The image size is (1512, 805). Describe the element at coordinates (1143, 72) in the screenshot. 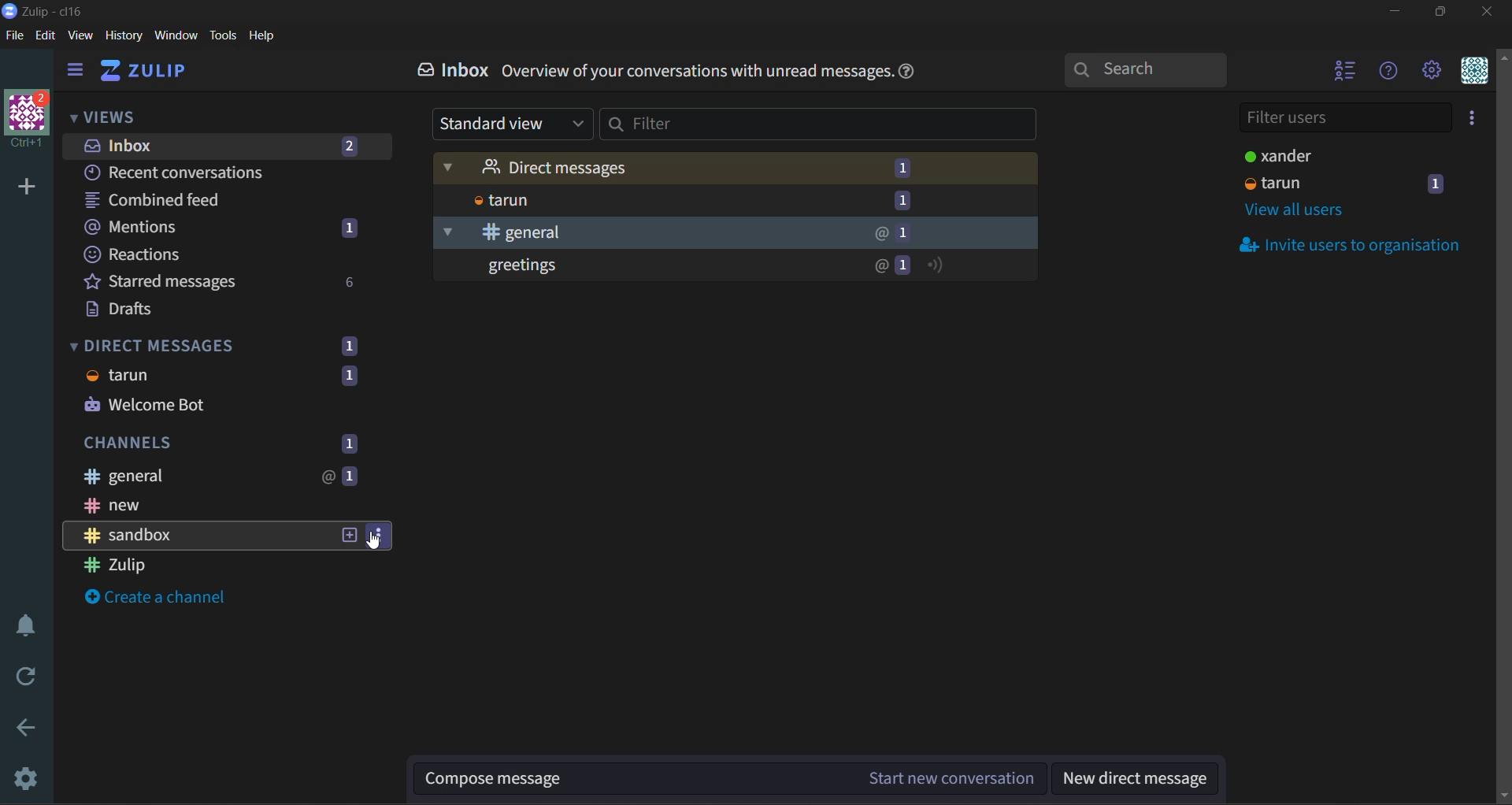

I see `search` at that location.